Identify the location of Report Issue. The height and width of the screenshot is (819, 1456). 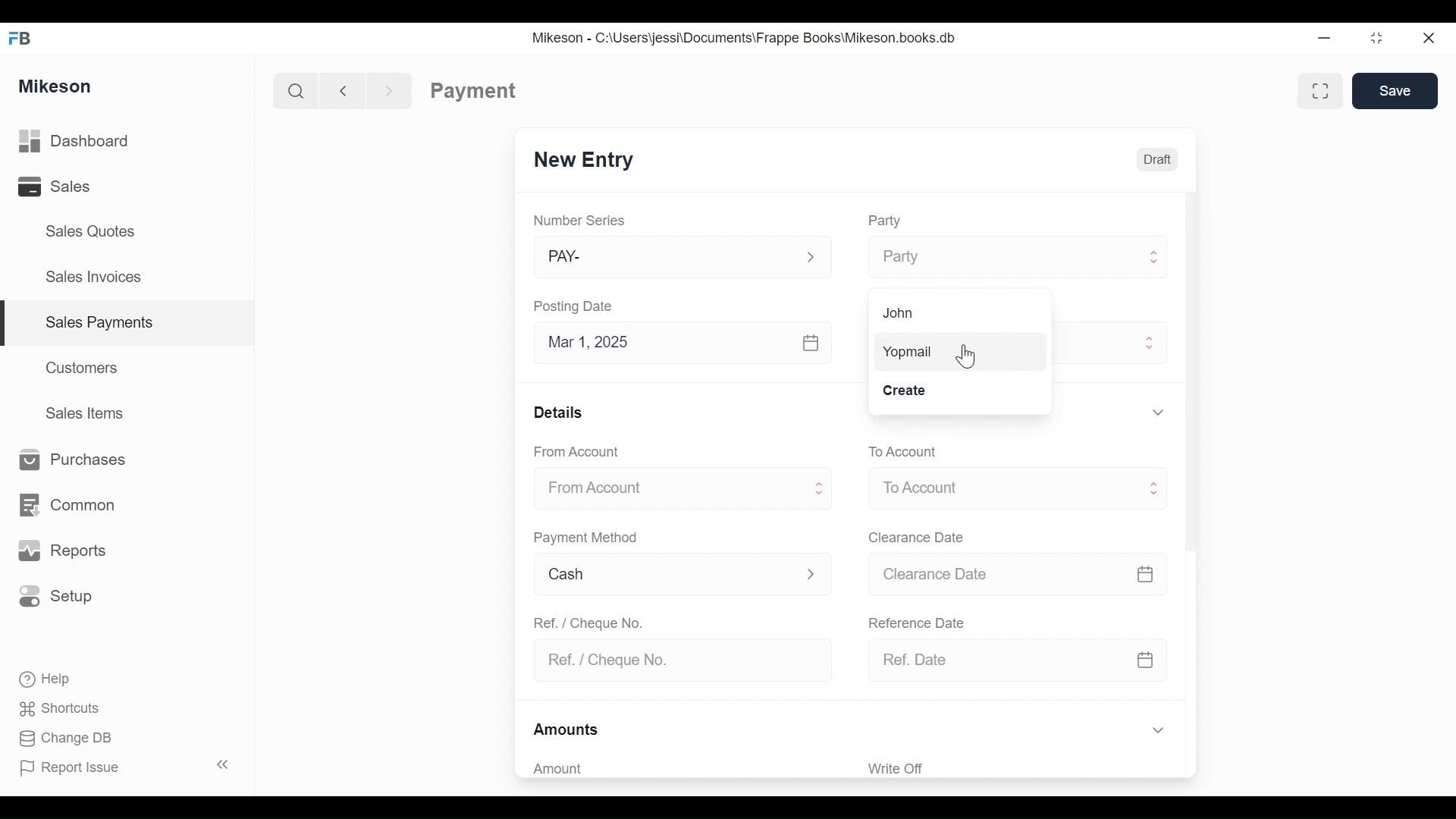
(77, 768).